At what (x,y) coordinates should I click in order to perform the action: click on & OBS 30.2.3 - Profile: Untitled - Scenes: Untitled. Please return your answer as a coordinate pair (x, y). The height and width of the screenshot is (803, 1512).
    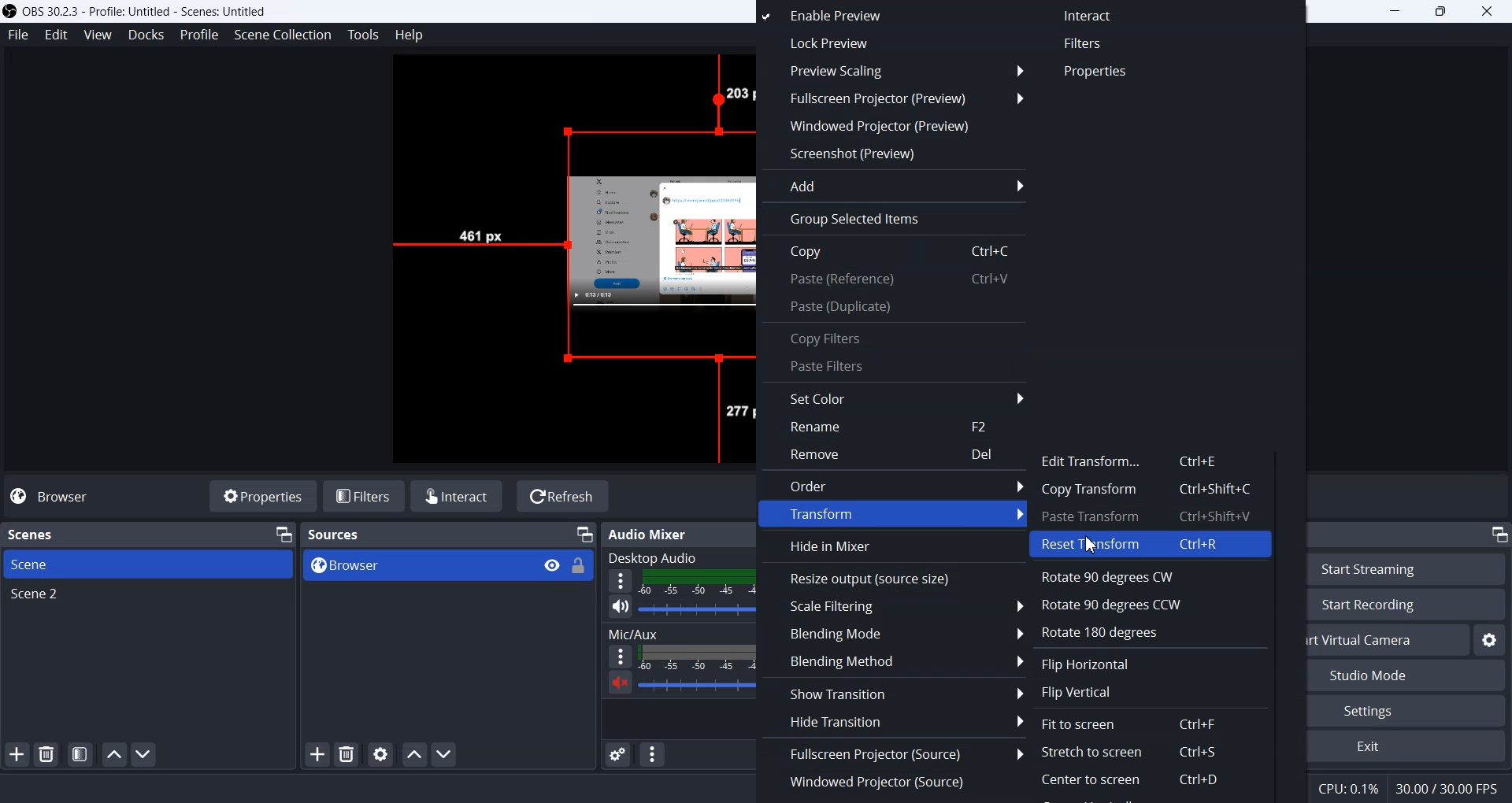
    Looking at the image, I should click on (153, 12).